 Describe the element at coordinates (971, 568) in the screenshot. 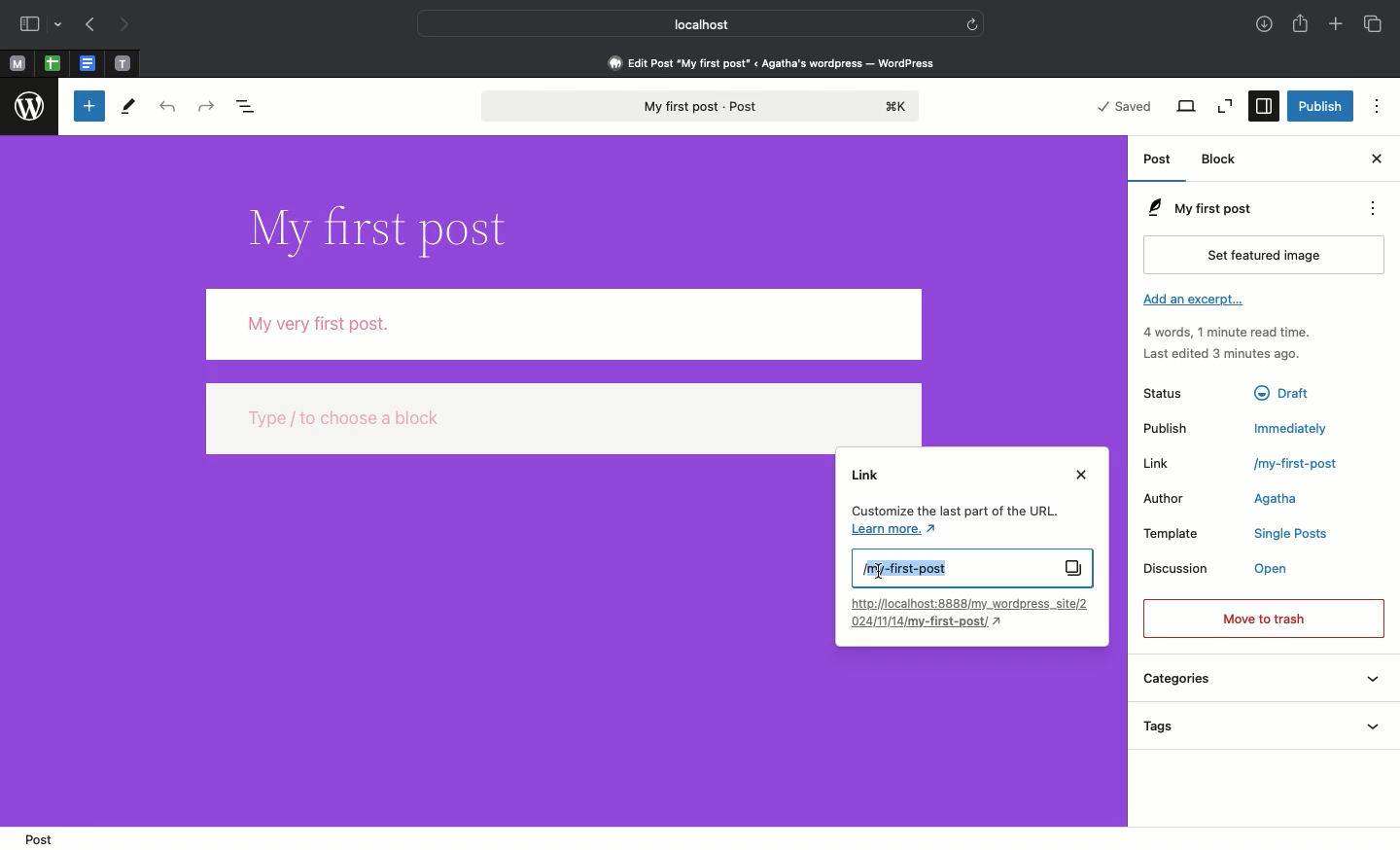

I see `My first post` at that location.